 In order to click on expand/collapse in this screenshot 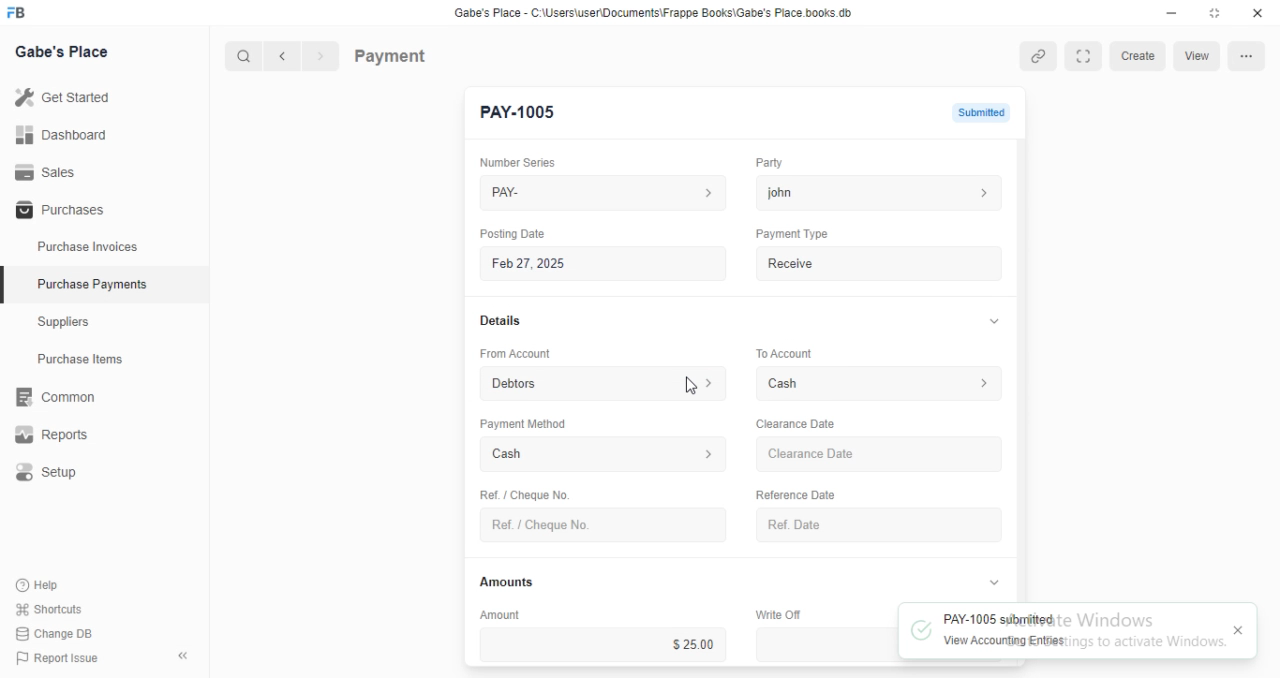, I will do `click(993, 583)`.